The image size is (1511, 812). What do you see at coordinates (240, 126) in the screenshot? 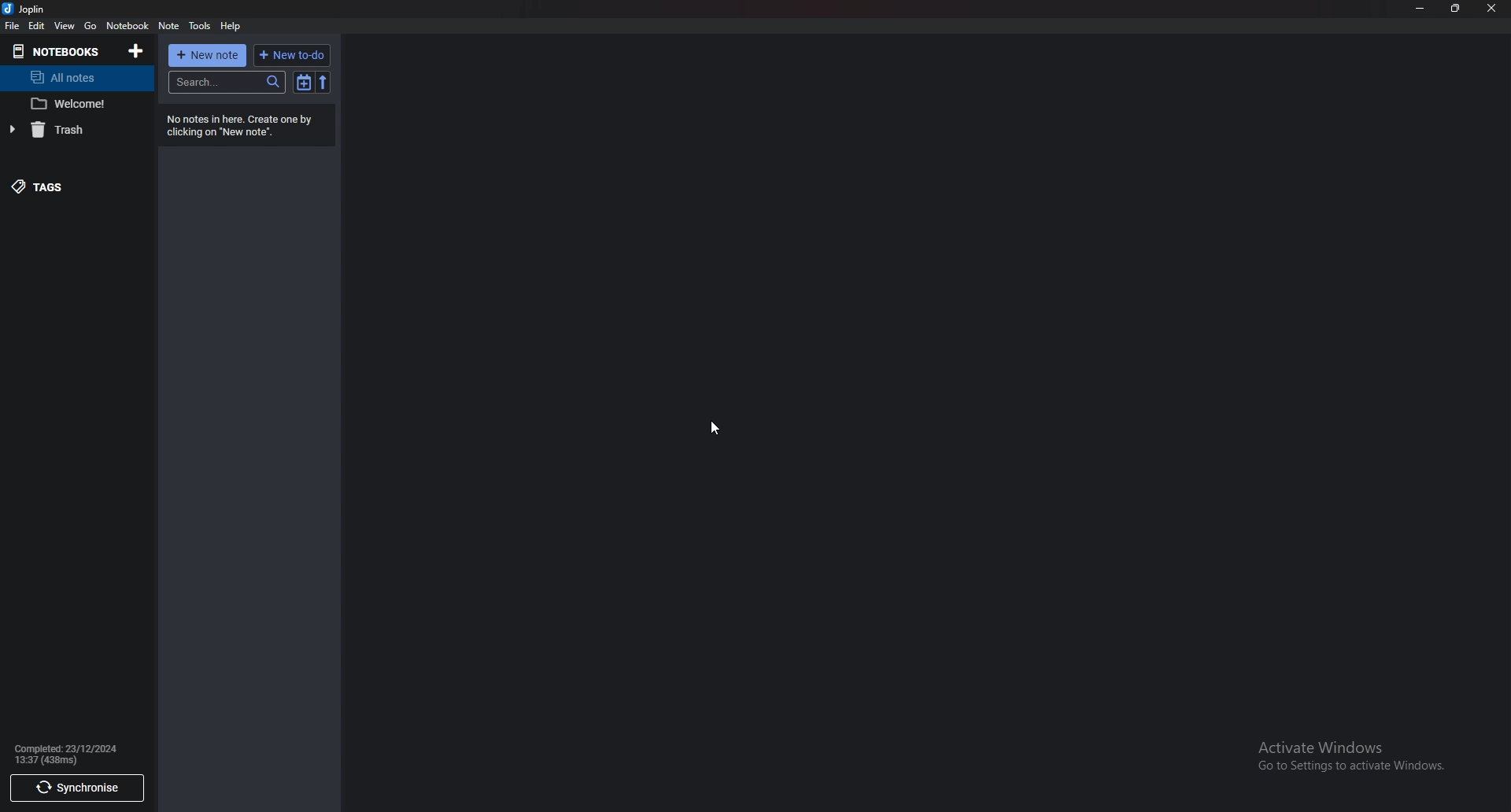
I see `Info` at bounding box center [240, 126].